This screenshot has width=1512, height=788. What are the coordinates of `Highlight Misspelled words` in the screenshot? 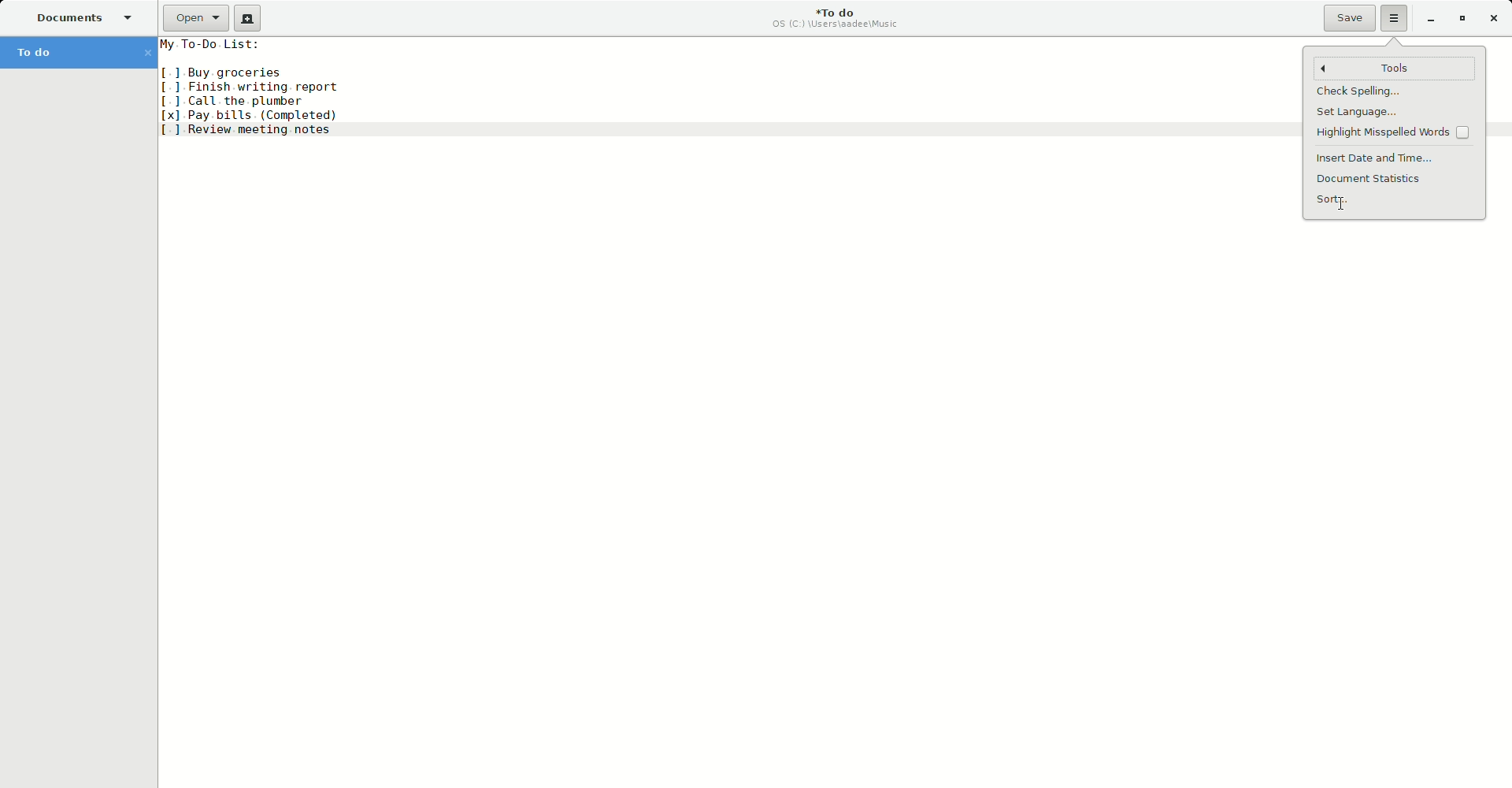 It's located at (1394, 131).